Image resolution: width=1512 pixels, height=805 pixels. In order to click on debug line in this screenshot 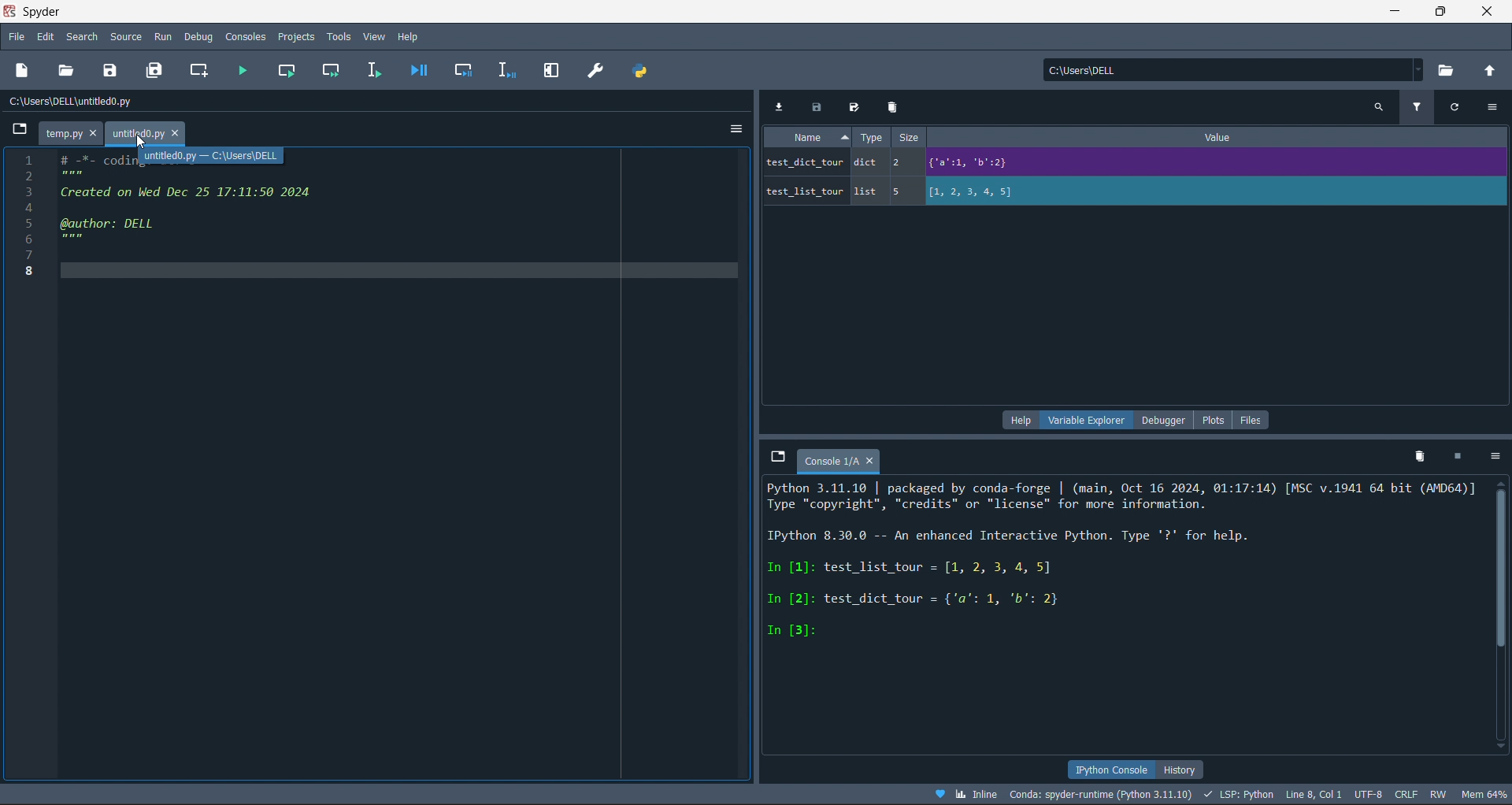, I will do `click(506, 69)`.